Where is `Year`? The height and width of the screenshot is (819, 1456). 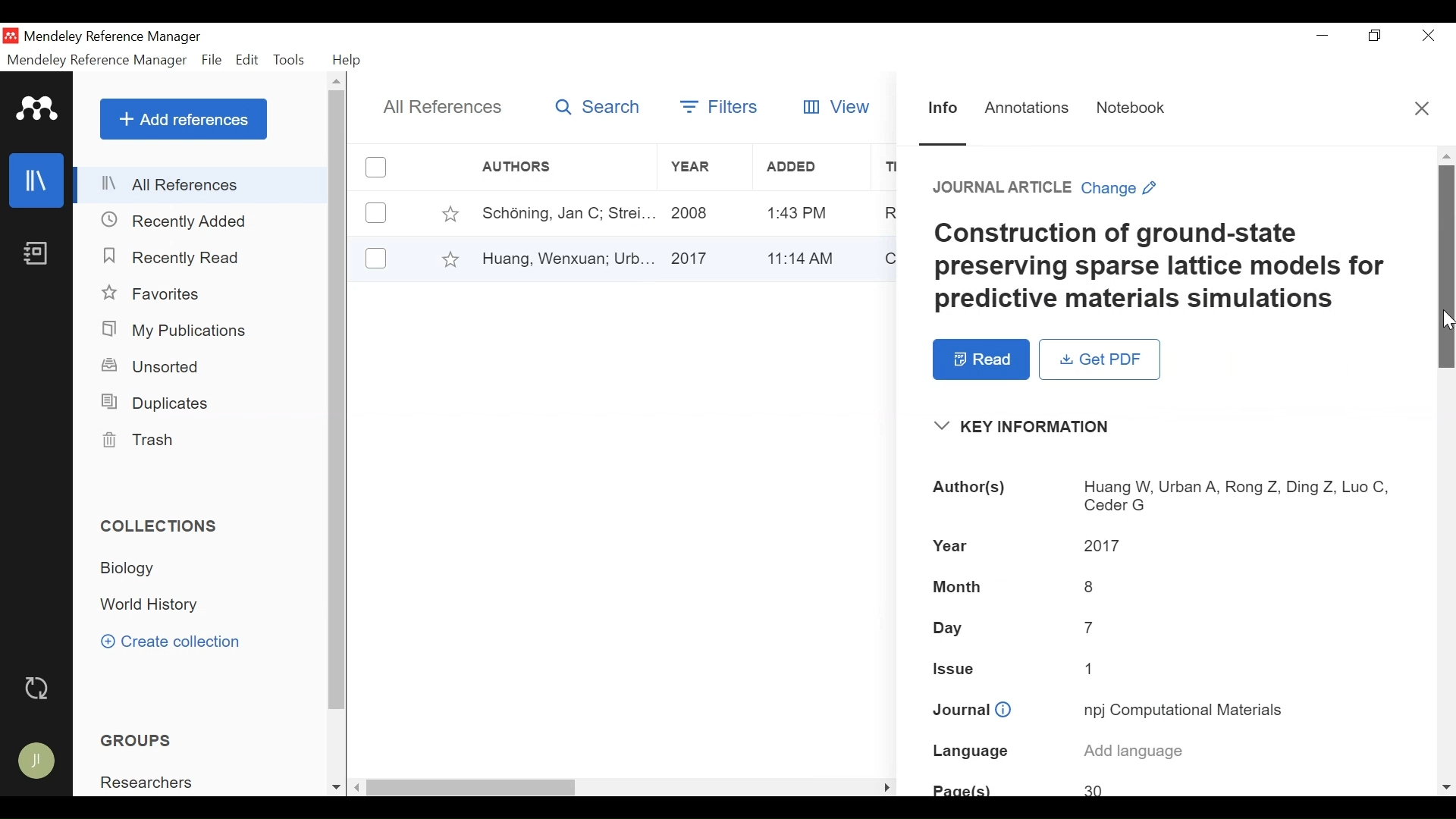
Year is located at coordinates (1164, 546).